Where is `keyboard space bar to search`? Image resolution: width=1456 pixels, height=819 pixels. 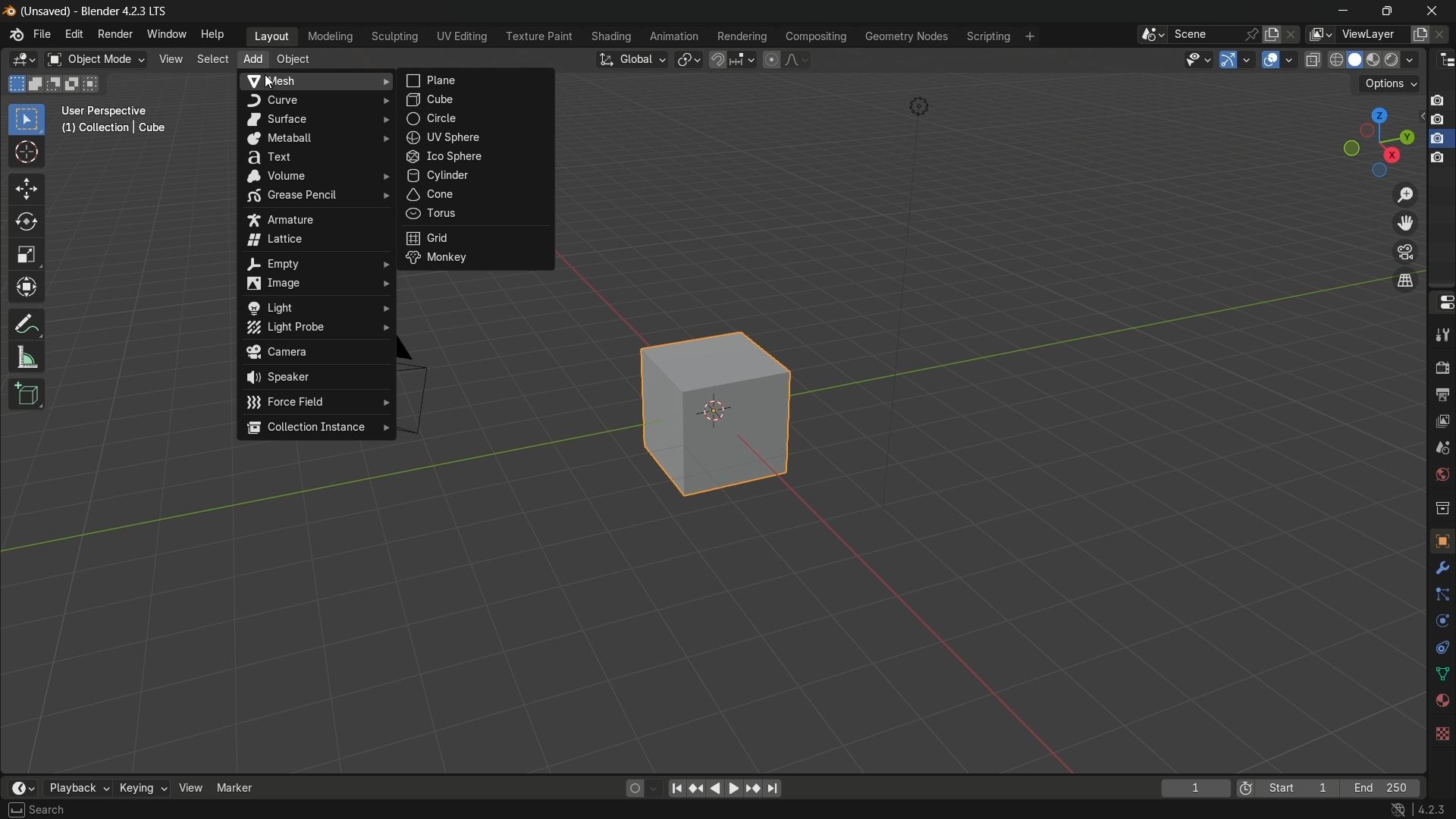
keyboard space bar to search is located at coordinates (16, 810).